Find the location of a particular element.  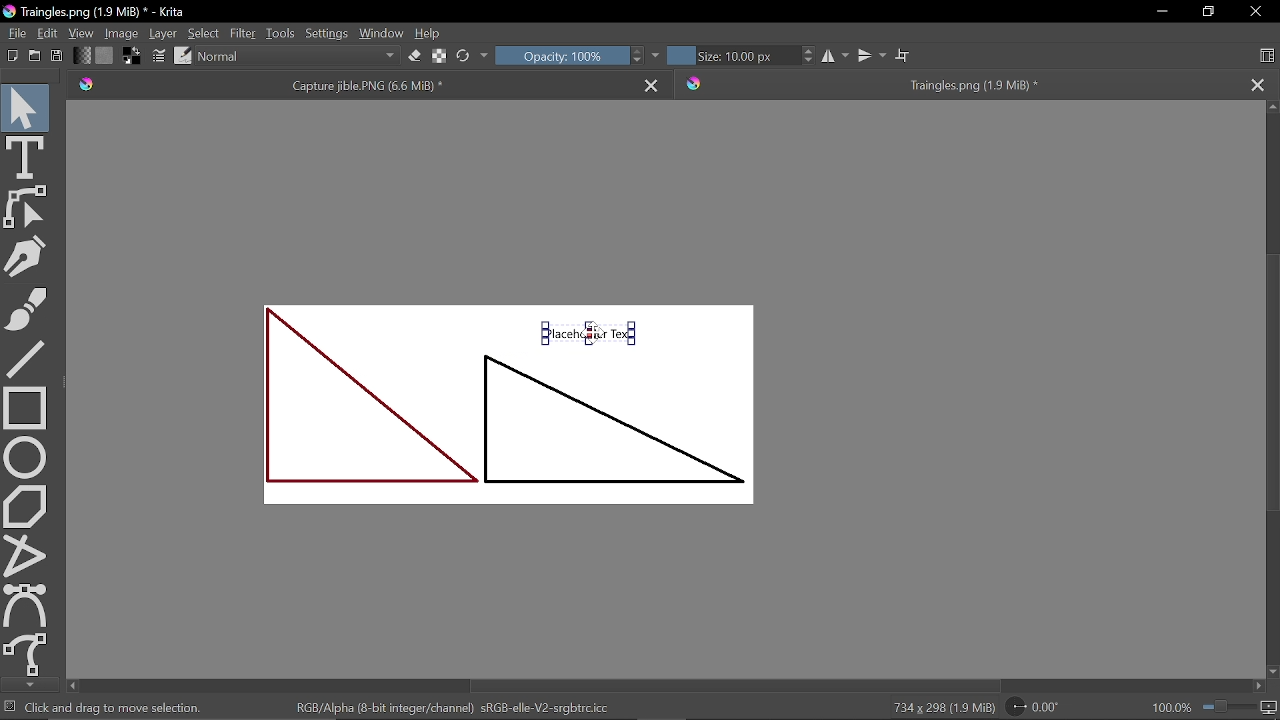

Rectangular tool is located at coordinates (26, 407).